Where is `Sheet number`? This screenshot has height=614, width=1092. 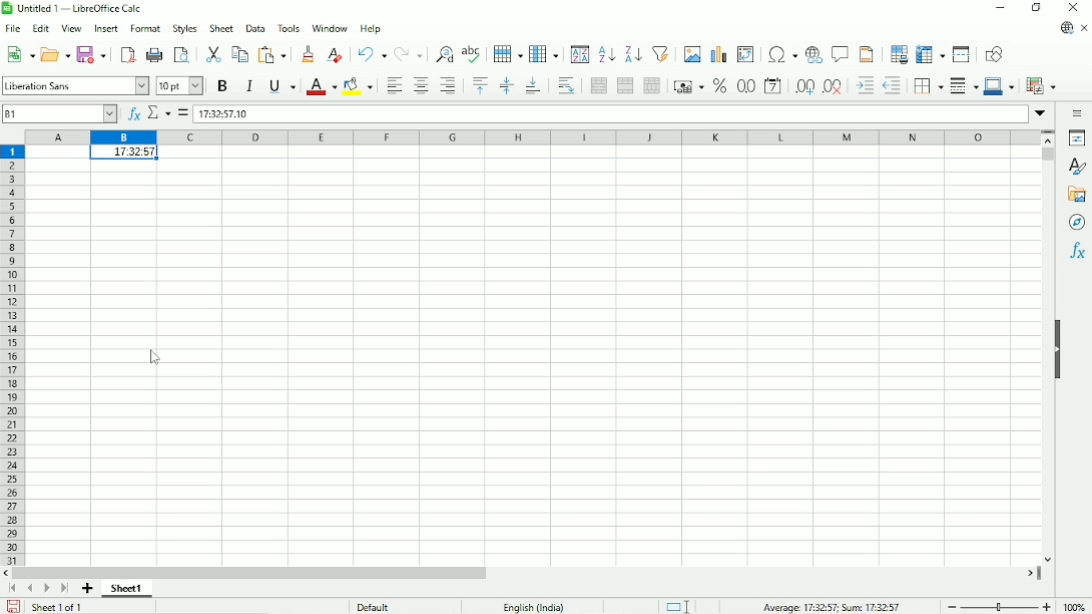
Sheet number is located at coordinates (127, 589).